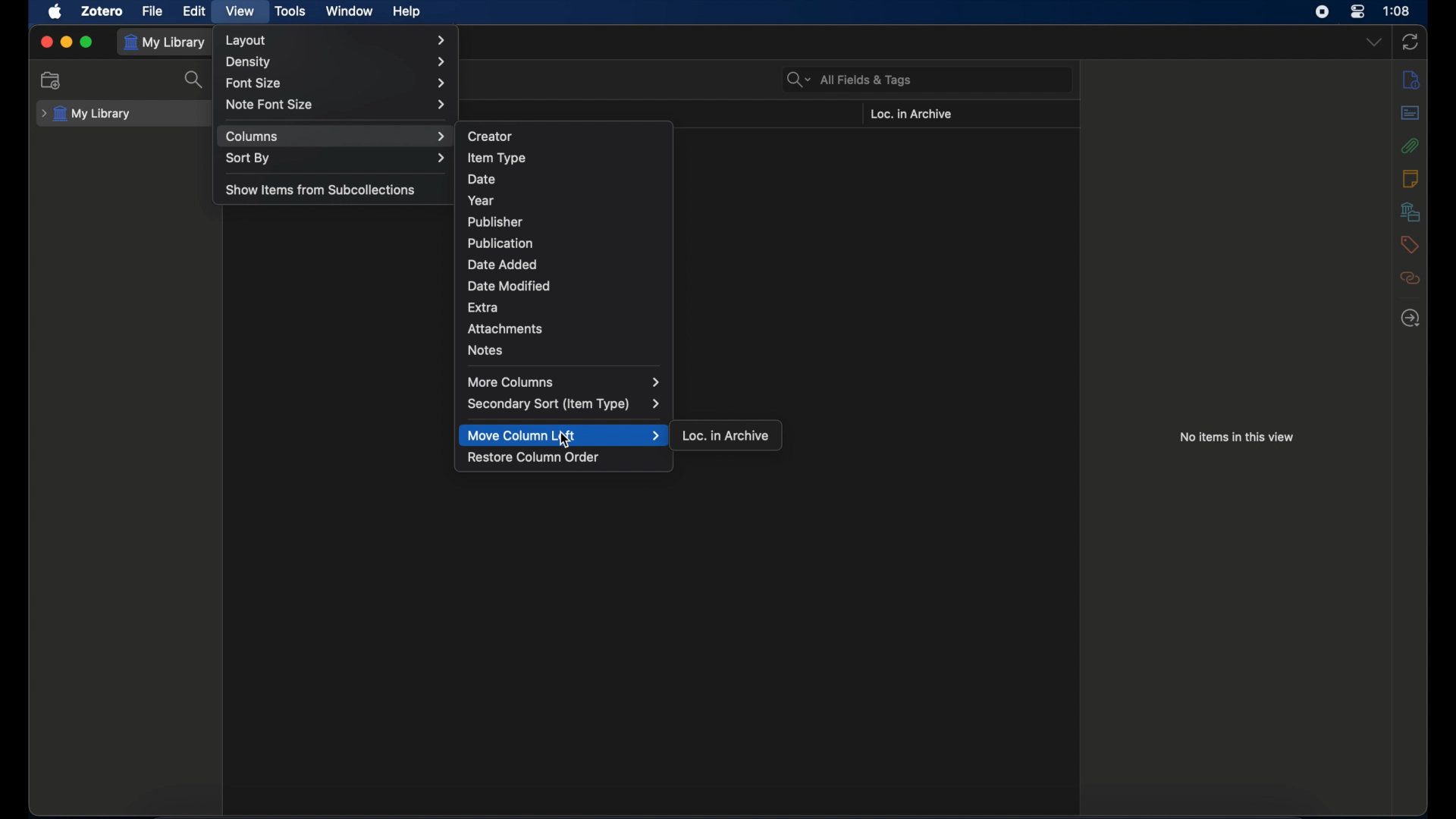 The width and height of the screenshot is (1456, 819). Describe the element at coordinates (1373, 42) in the screenshot. I see `dropdown` at that location.